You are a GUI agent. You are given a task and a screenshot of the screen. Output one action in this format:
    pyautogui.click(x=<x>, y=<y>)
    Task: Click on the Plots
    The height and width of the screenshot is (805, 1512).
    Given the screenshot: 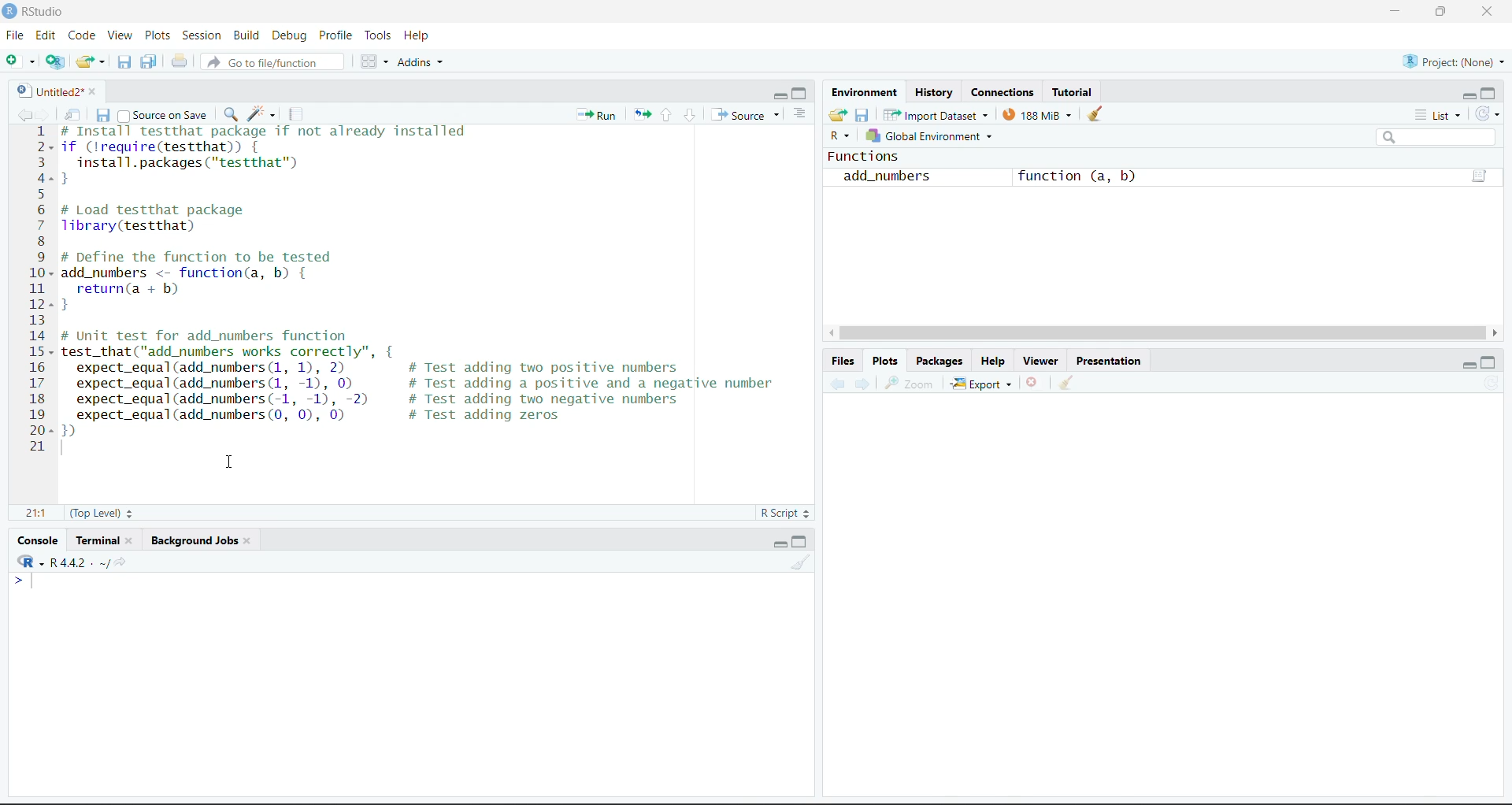 What is the action you would take?
    pyautogui.click(x=884, y=362)
    